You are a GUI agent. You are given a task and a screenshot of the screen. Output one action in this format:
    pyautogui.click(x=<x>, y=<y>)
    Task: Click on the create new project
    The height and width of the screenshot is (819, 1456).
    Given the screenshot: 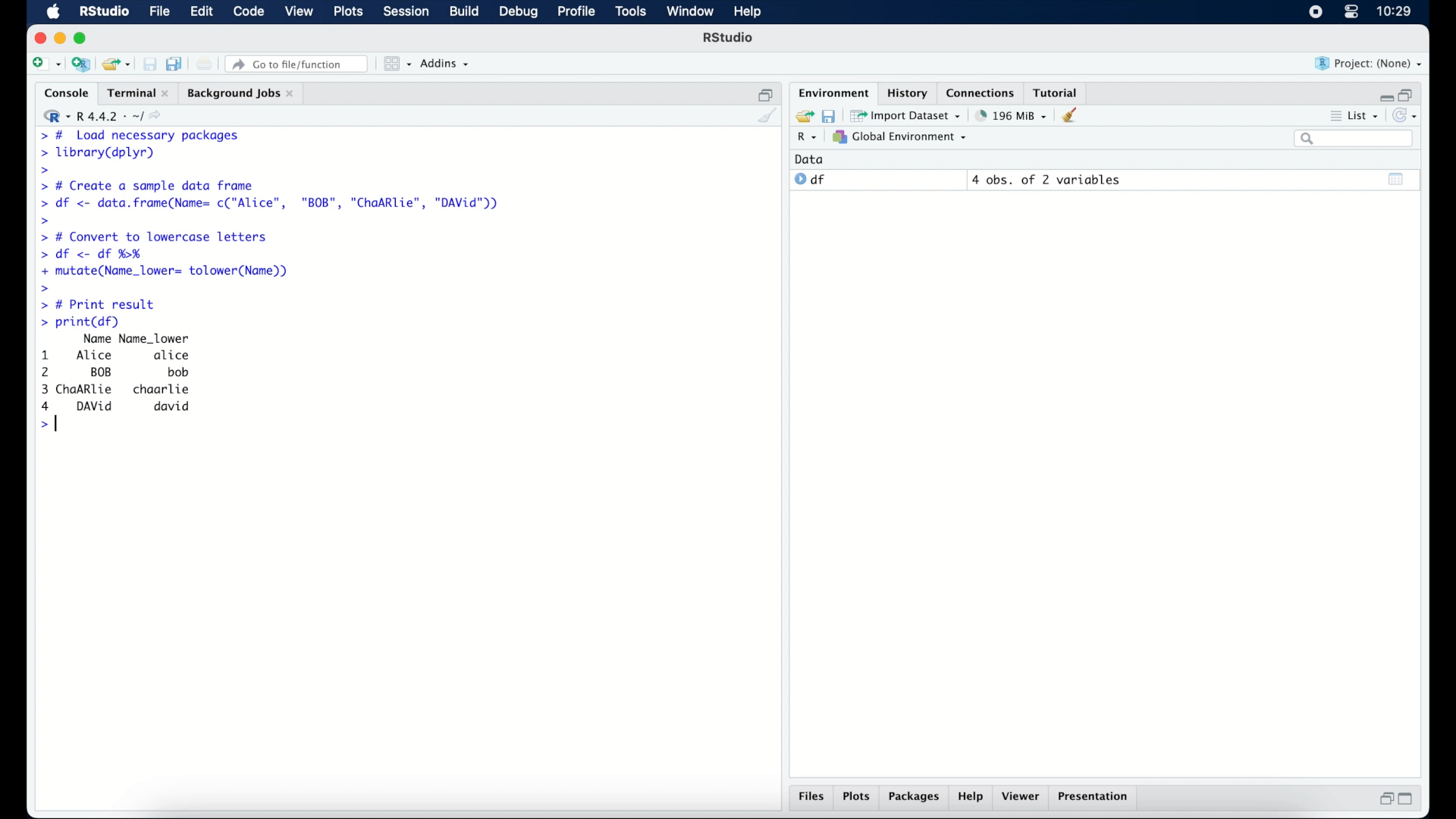 What is the action you would take?
    pyautogui.click(x=81, y=65)
    